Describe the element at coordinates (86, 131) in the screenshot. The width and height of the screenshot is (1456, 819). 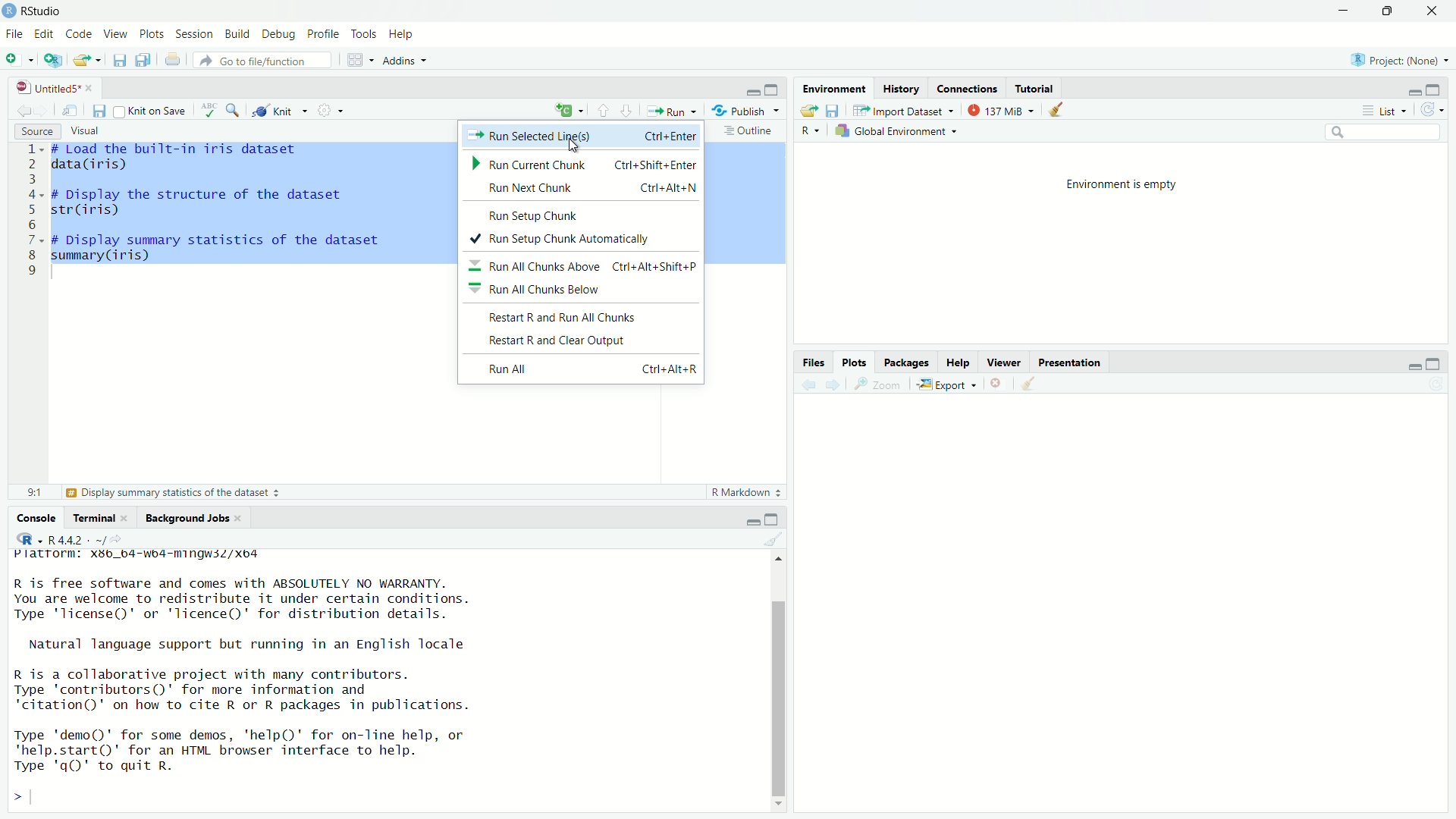
I see `Visual` at that location.